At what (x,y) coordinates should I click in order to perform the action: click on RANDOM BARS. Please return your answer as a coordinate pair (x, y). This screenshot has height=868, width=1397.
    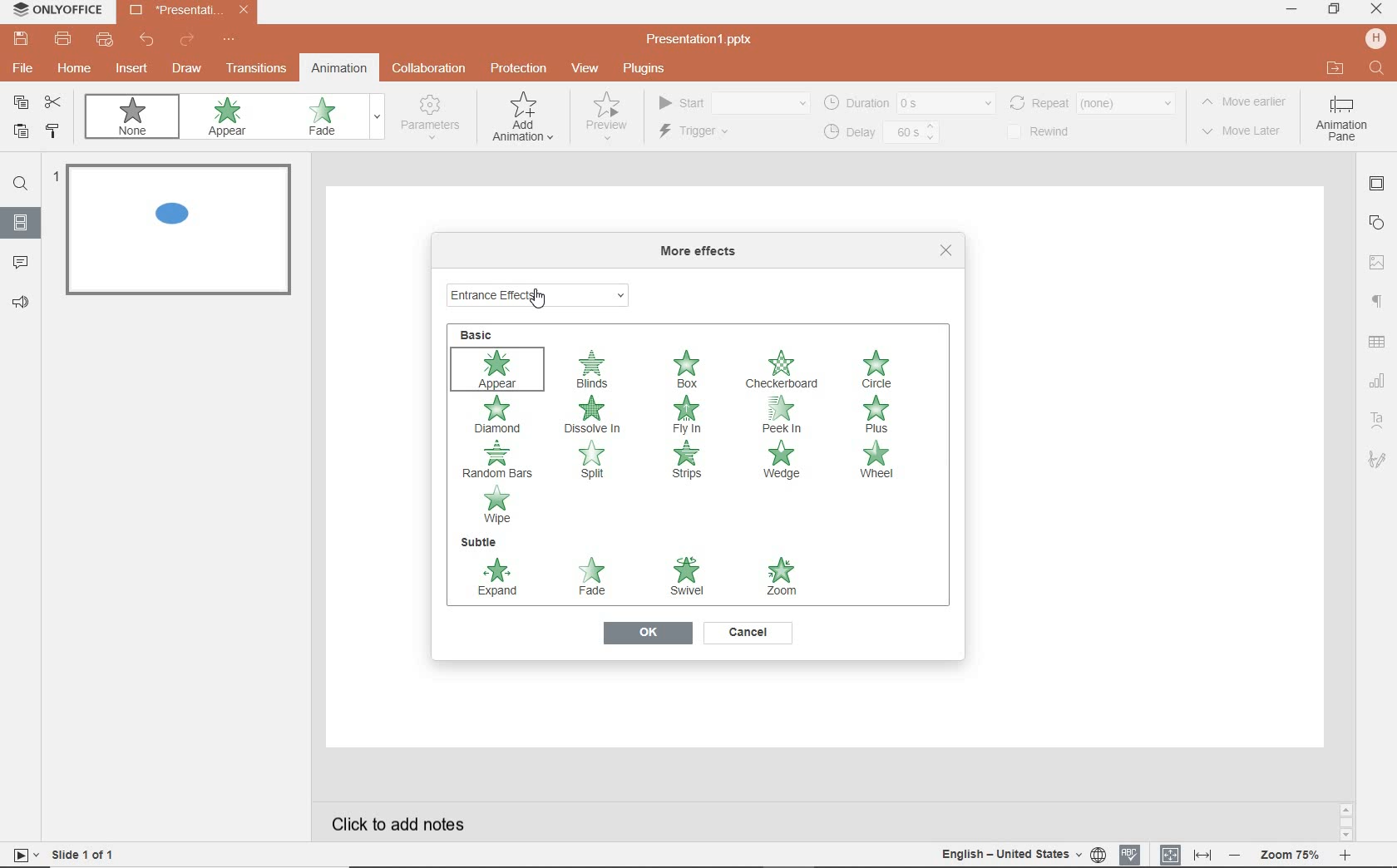
    Looking at the image, I should click on (499, 460).